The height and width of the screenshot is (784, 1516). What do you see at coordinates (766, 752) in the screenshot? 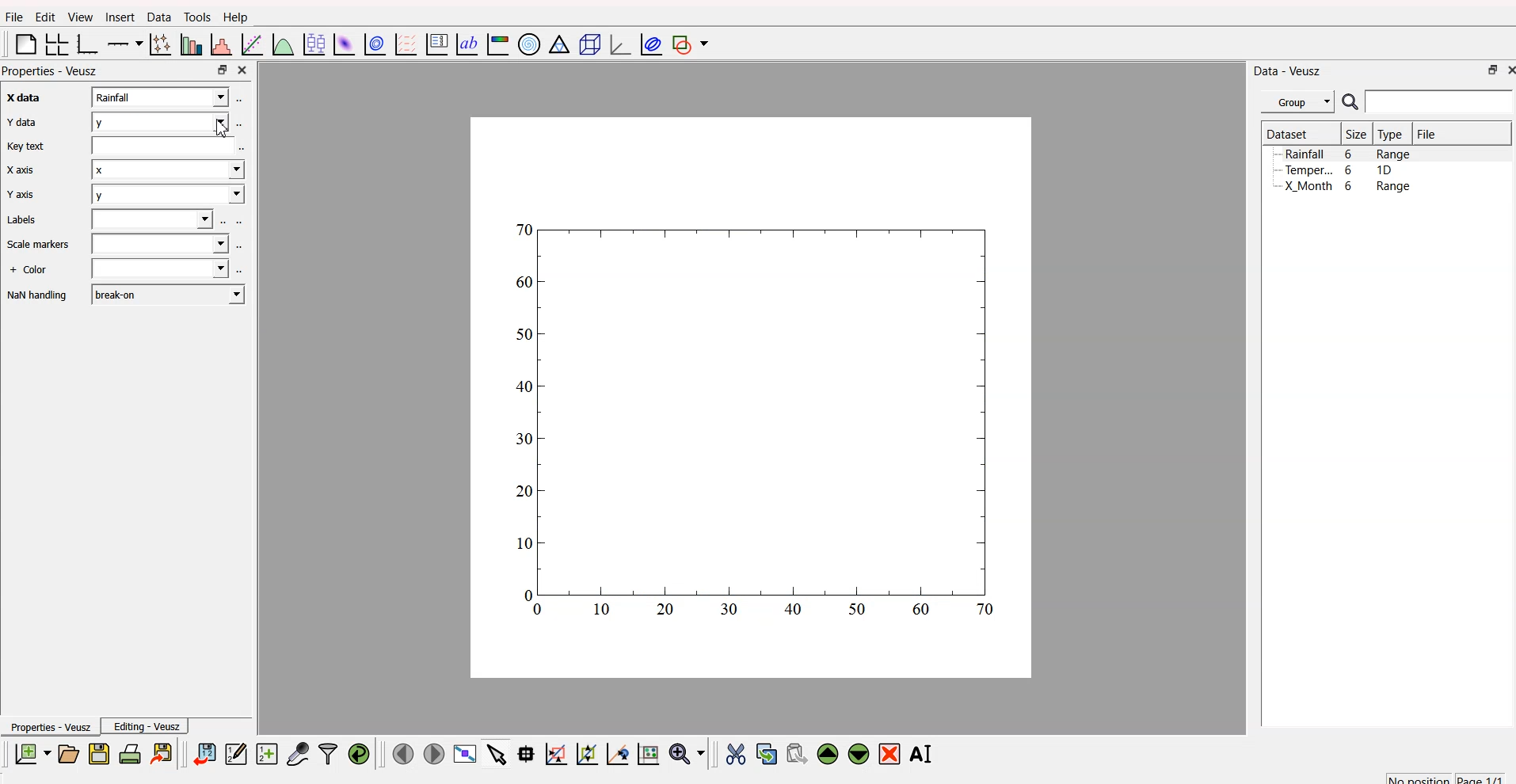
I see `copy the widget` at bounding box center [766, 752].